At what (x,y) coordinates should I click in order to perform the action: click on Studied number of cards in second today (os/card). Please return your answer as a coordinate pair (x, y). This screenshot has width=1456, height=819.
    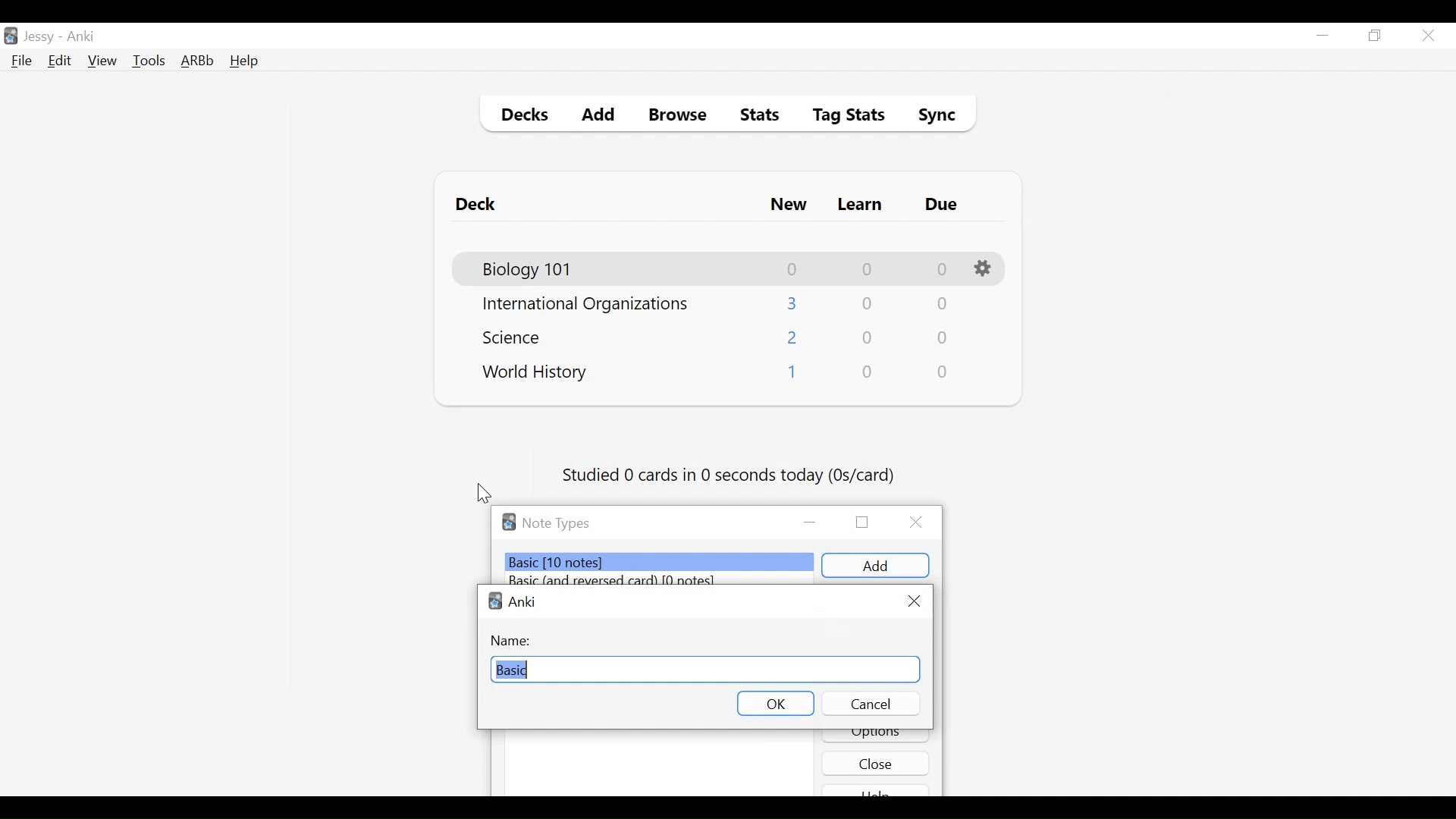
    Looking at the image, I should click on (730, 476).